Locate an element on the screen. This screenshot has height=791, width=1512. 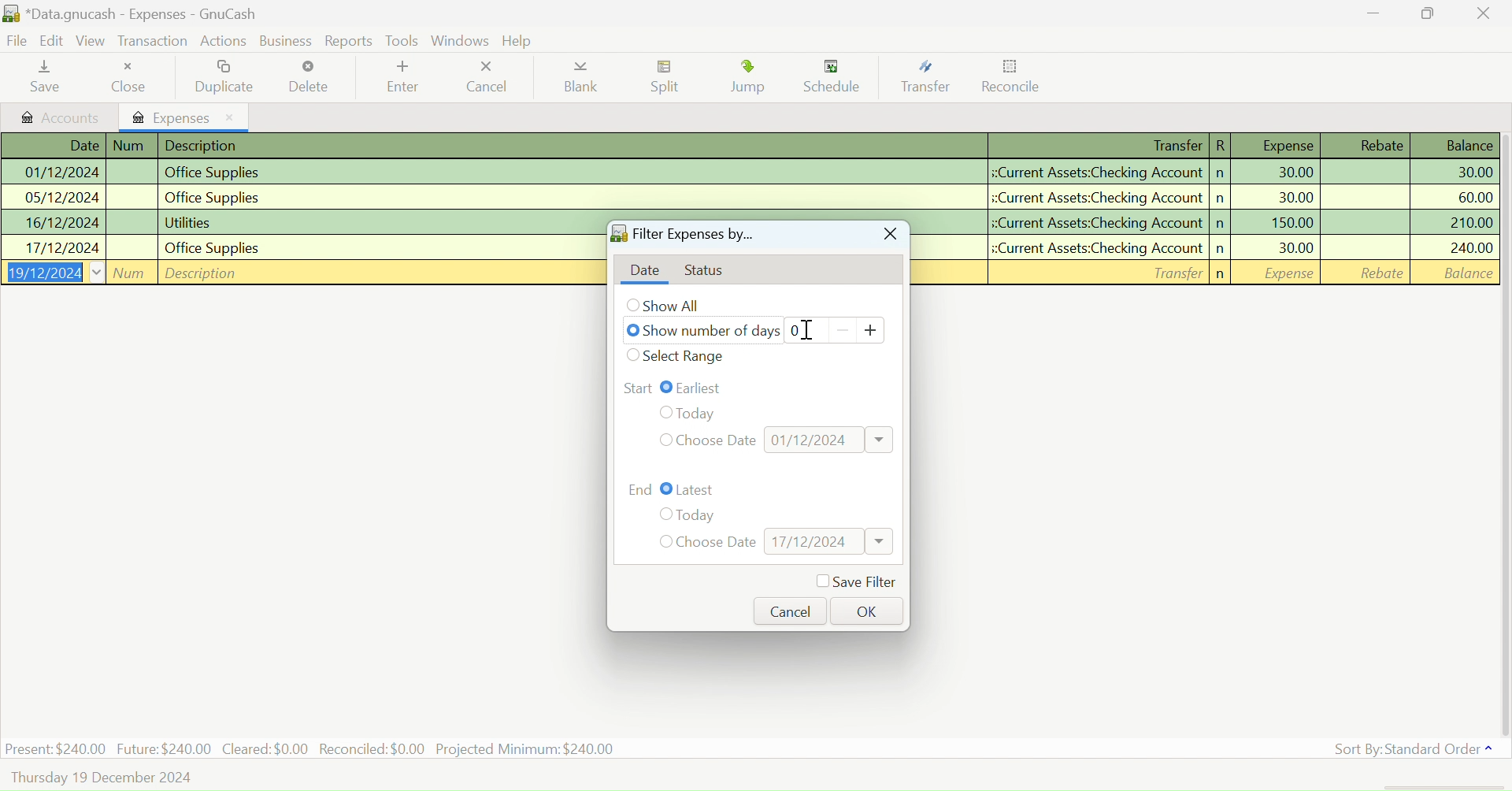
Save is located at coordinates (43, 78).